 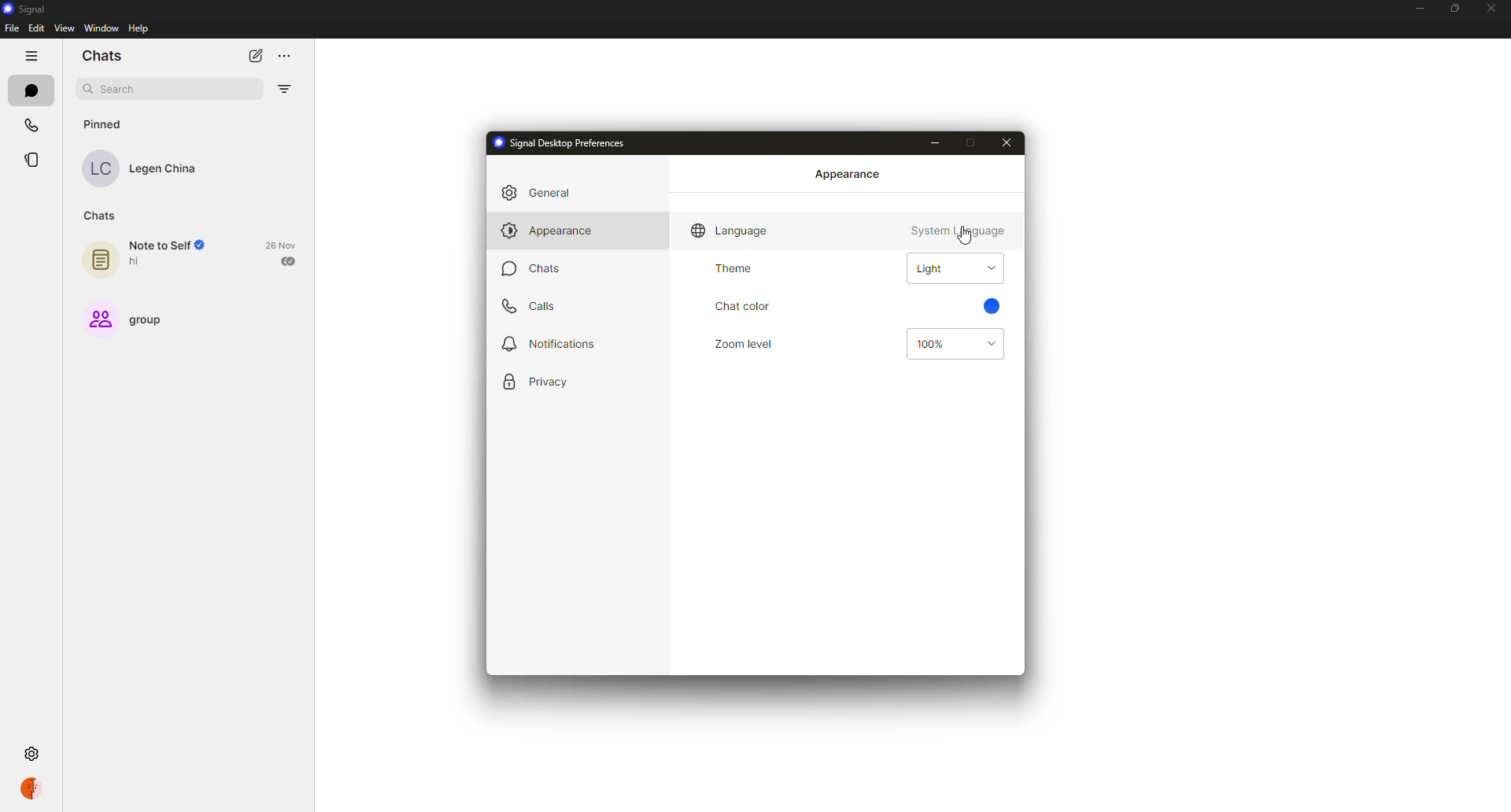 What do you see at coordinates (25, 8) in the screenshot?
I see `signal` at bounding box center [25, 8].